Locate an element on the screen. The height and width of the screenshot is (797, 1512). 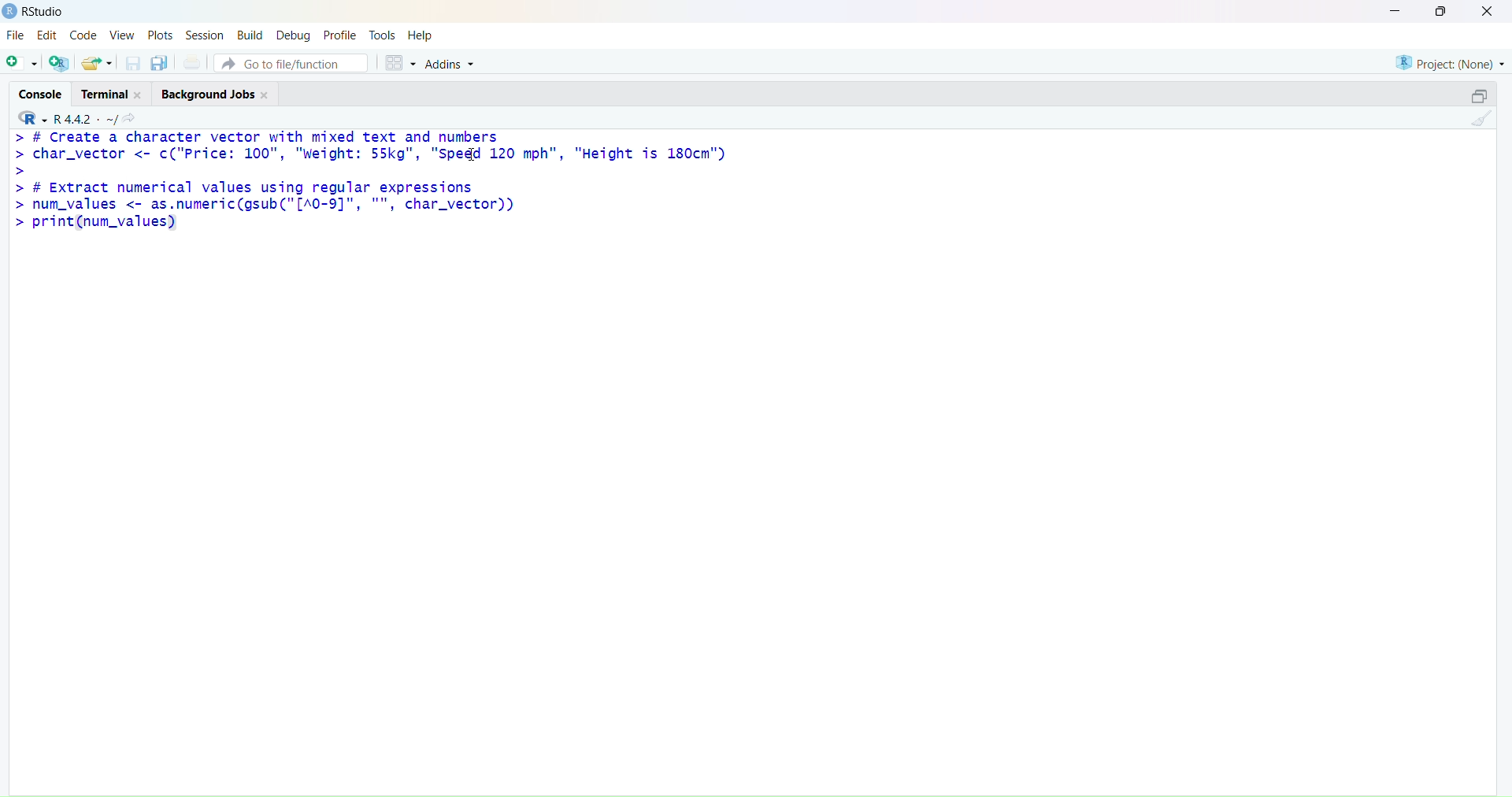
R. 4.4.2 ~/ is located at coordinates (84, 120).